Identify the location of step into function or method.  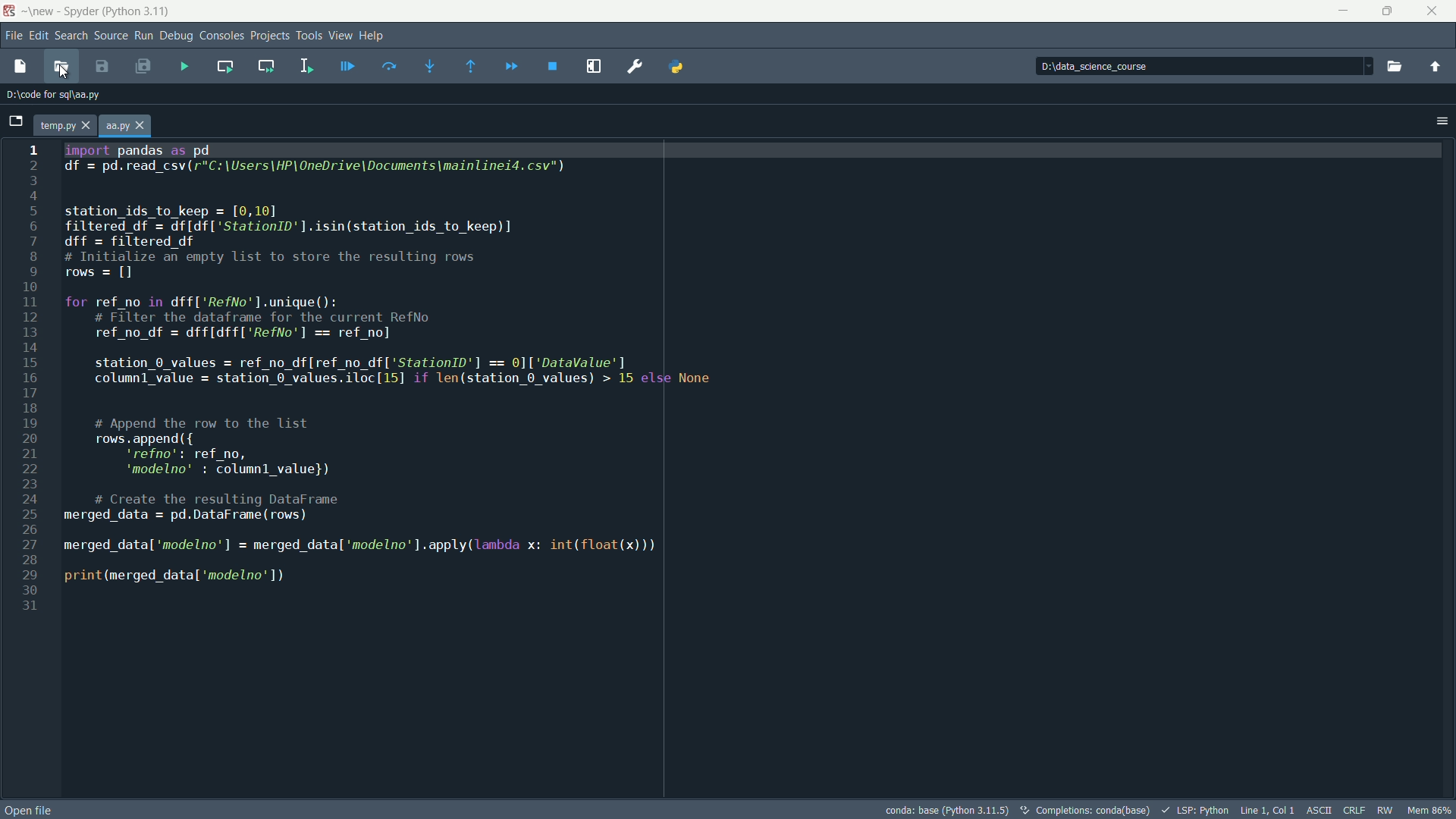
(430, 65).